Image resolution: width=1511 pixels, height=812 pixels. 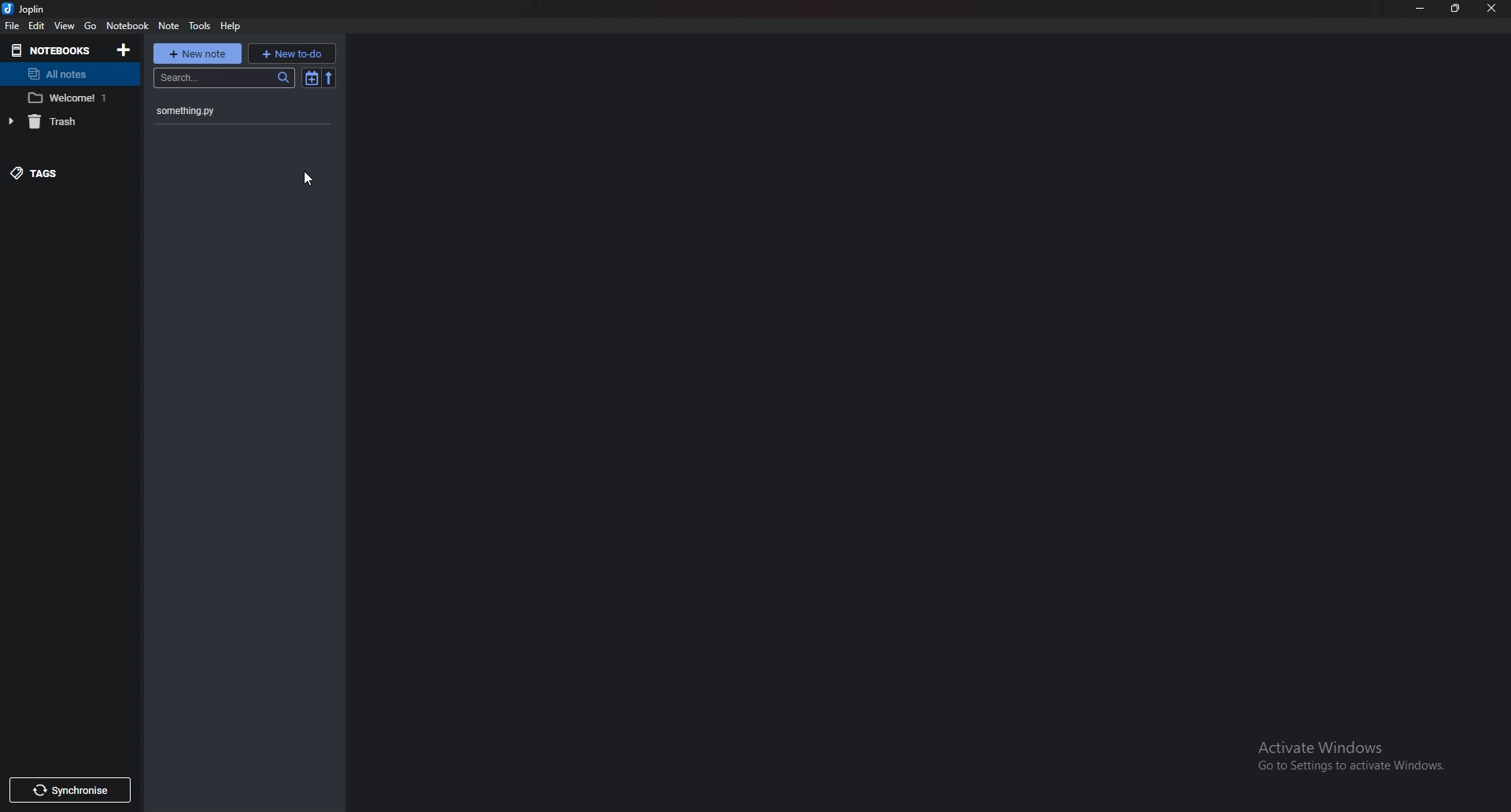 What do you see at coordinates (127, 25) in the screenshot?
I see `Notebook` at bounding box center [127, 25].